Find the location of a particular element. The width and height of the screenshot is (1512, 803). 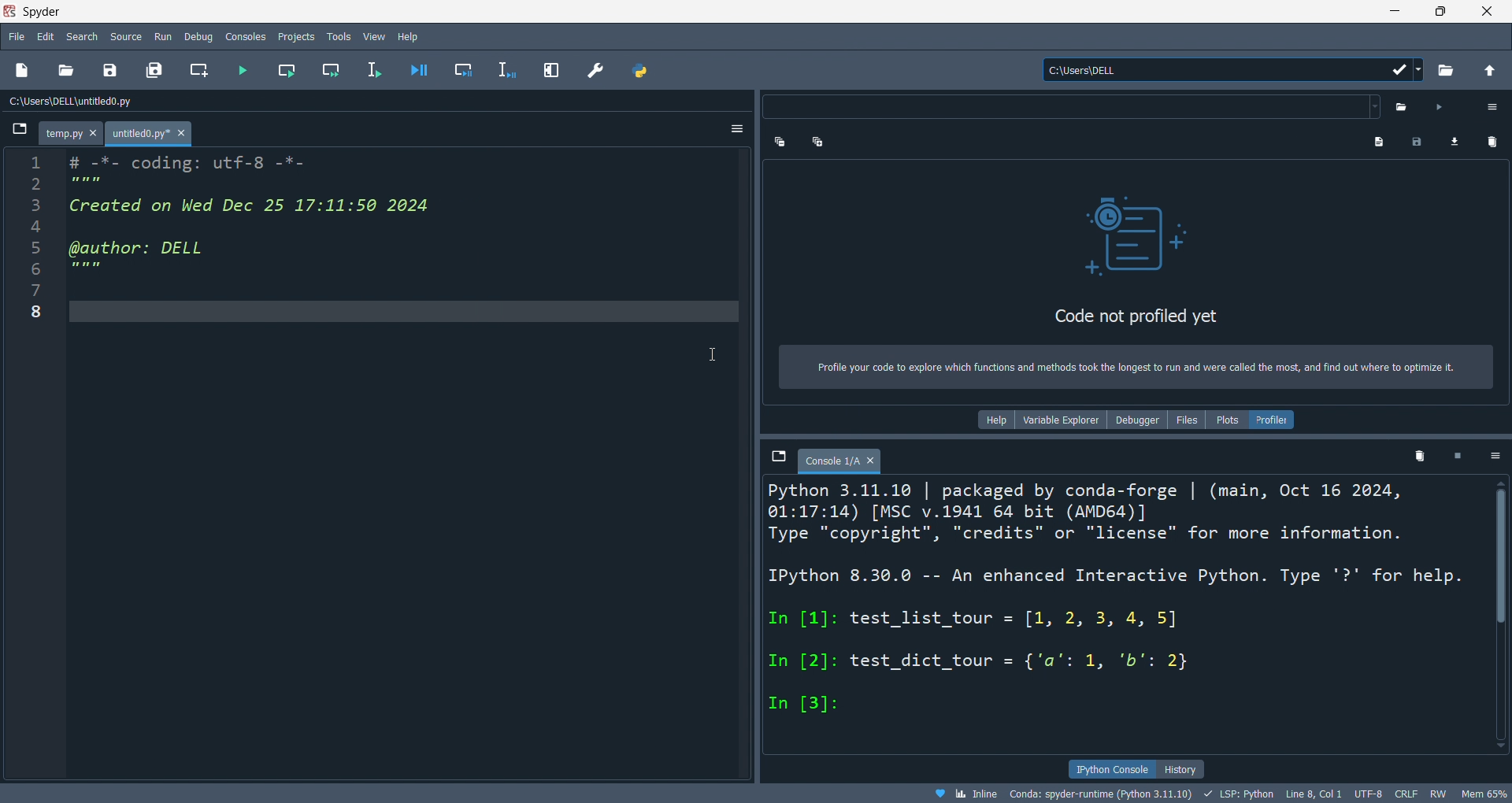

help is located at coordinates (997, 420).